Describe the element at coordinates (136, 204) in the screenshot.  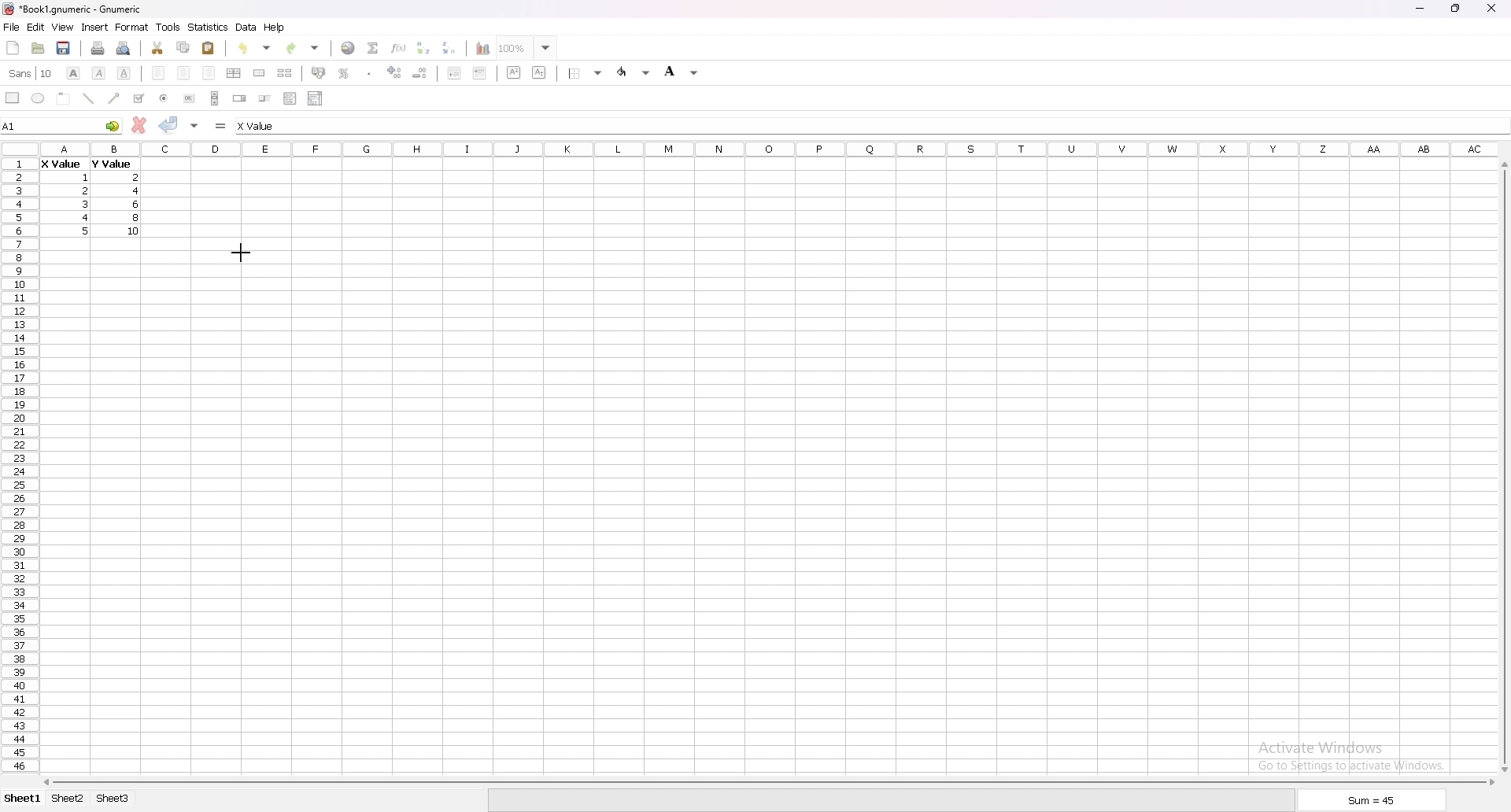
I see `value` at that location.